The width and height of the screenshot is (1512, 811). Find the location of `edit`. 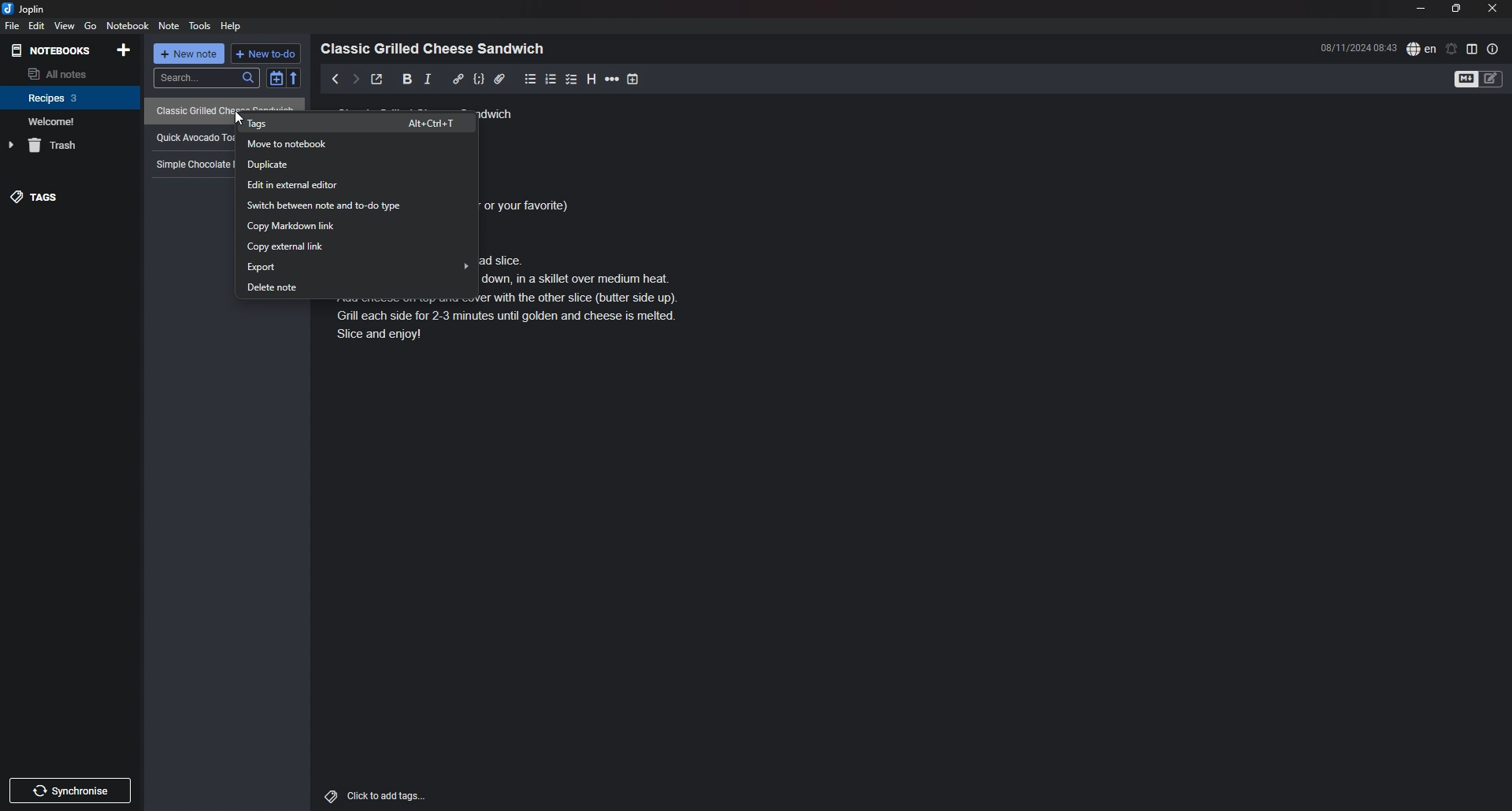

edit is located at coordinates (35, 26).